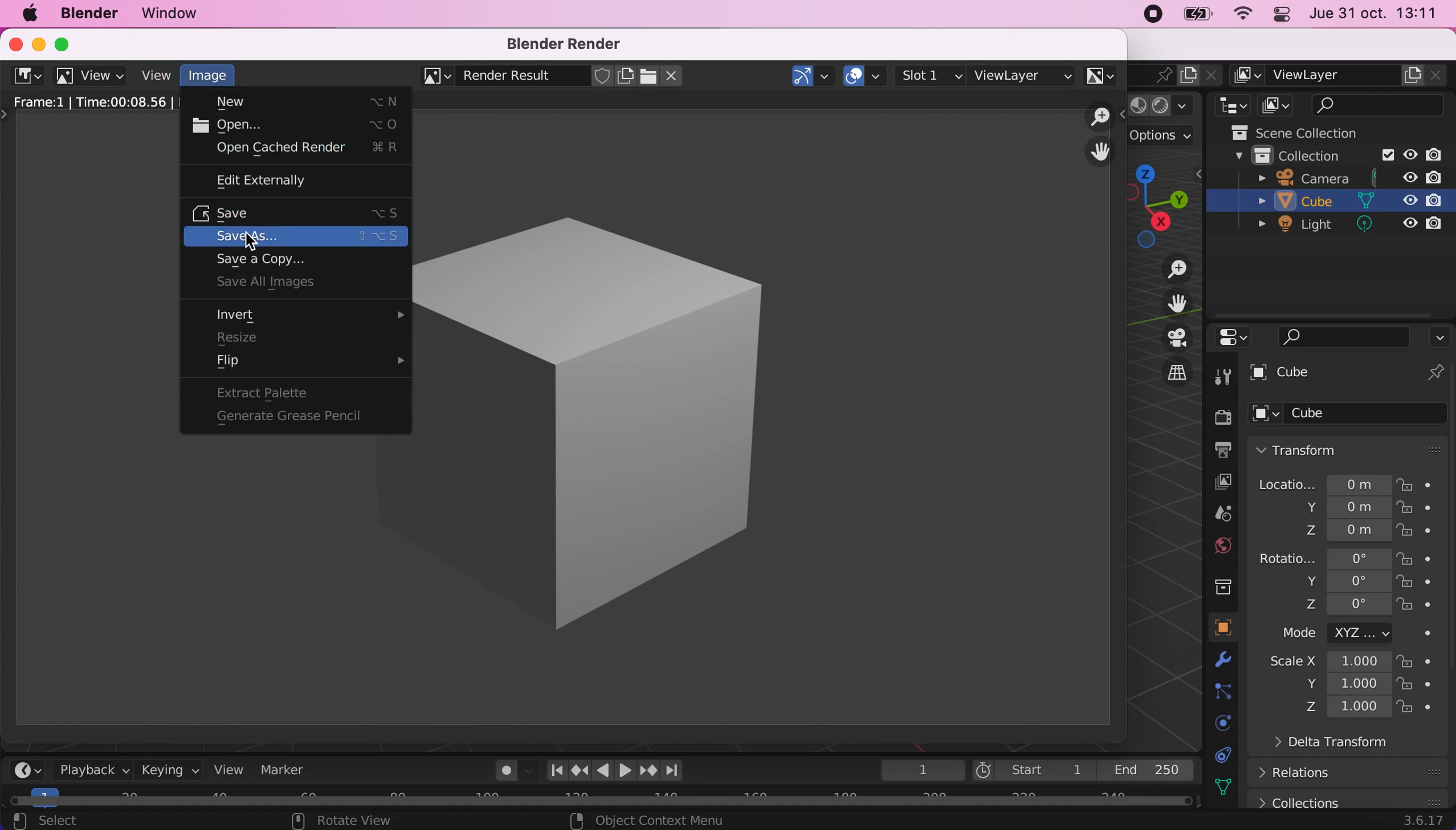  Describe the element at coordinates (1220, 451) in the screenshot. I see `output` at that location.